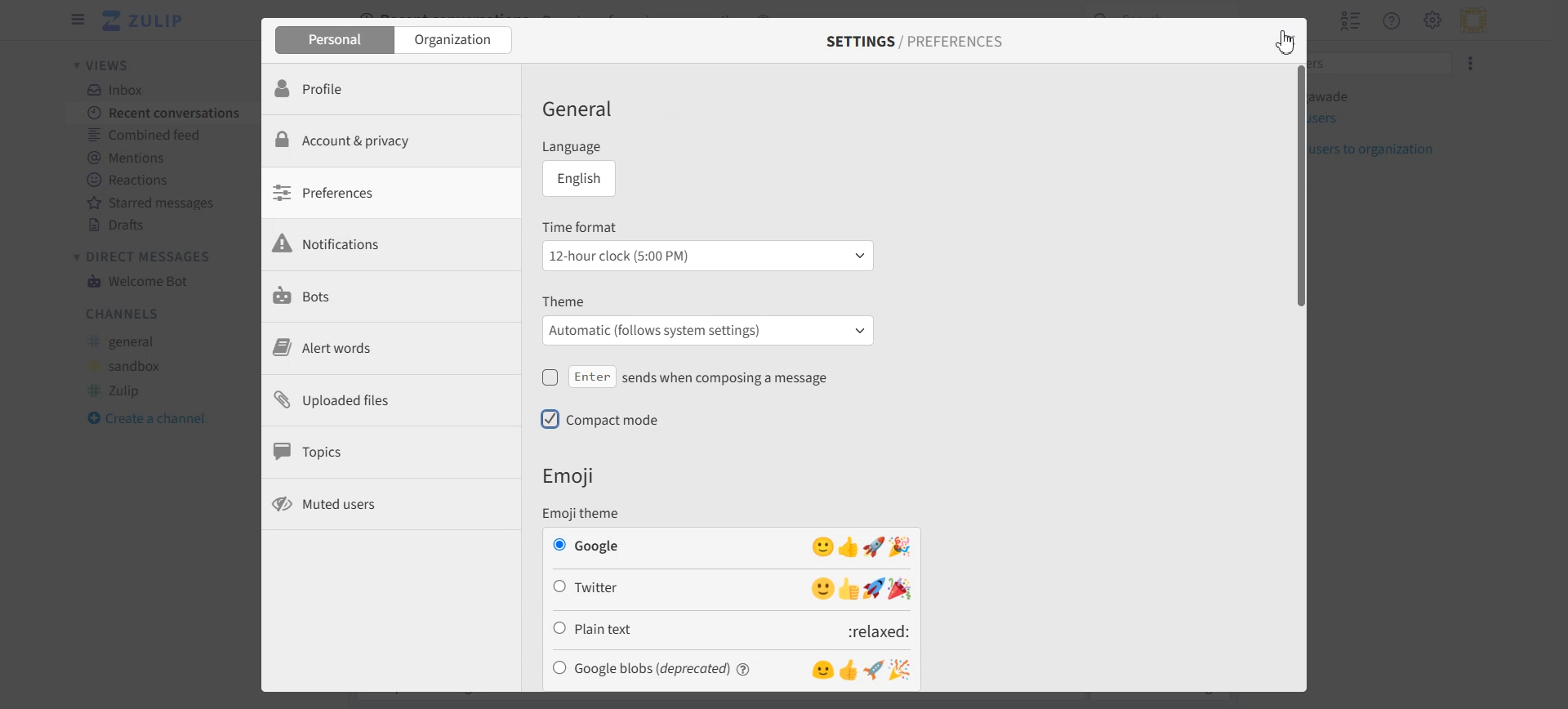  I want to click on Uploaded files, so click(390, 399).